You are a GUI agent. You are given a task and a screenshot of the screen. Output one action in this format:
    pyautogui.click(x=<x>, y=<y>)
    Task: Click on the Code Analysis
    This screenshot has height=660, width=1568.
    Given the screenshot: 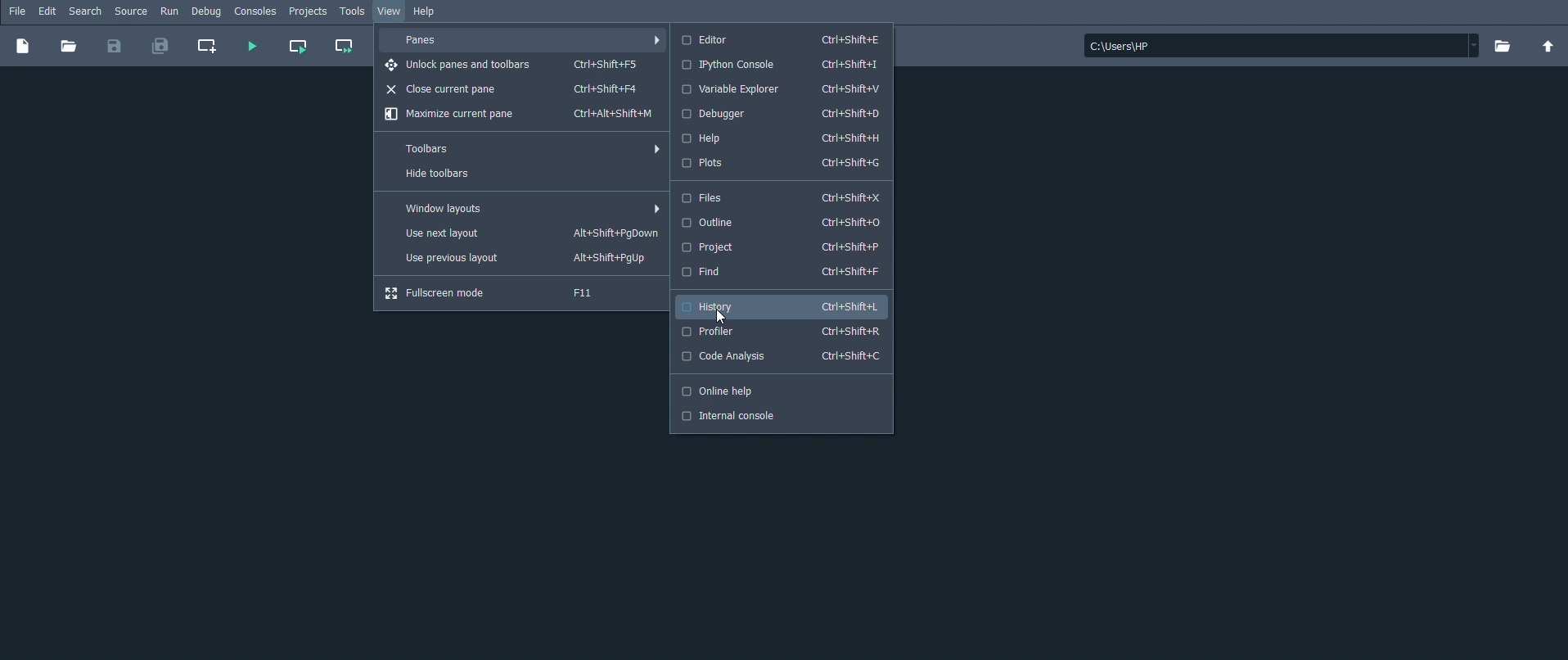 What is the action you would take?
    pyautogui.click(x=782, y=357)
    